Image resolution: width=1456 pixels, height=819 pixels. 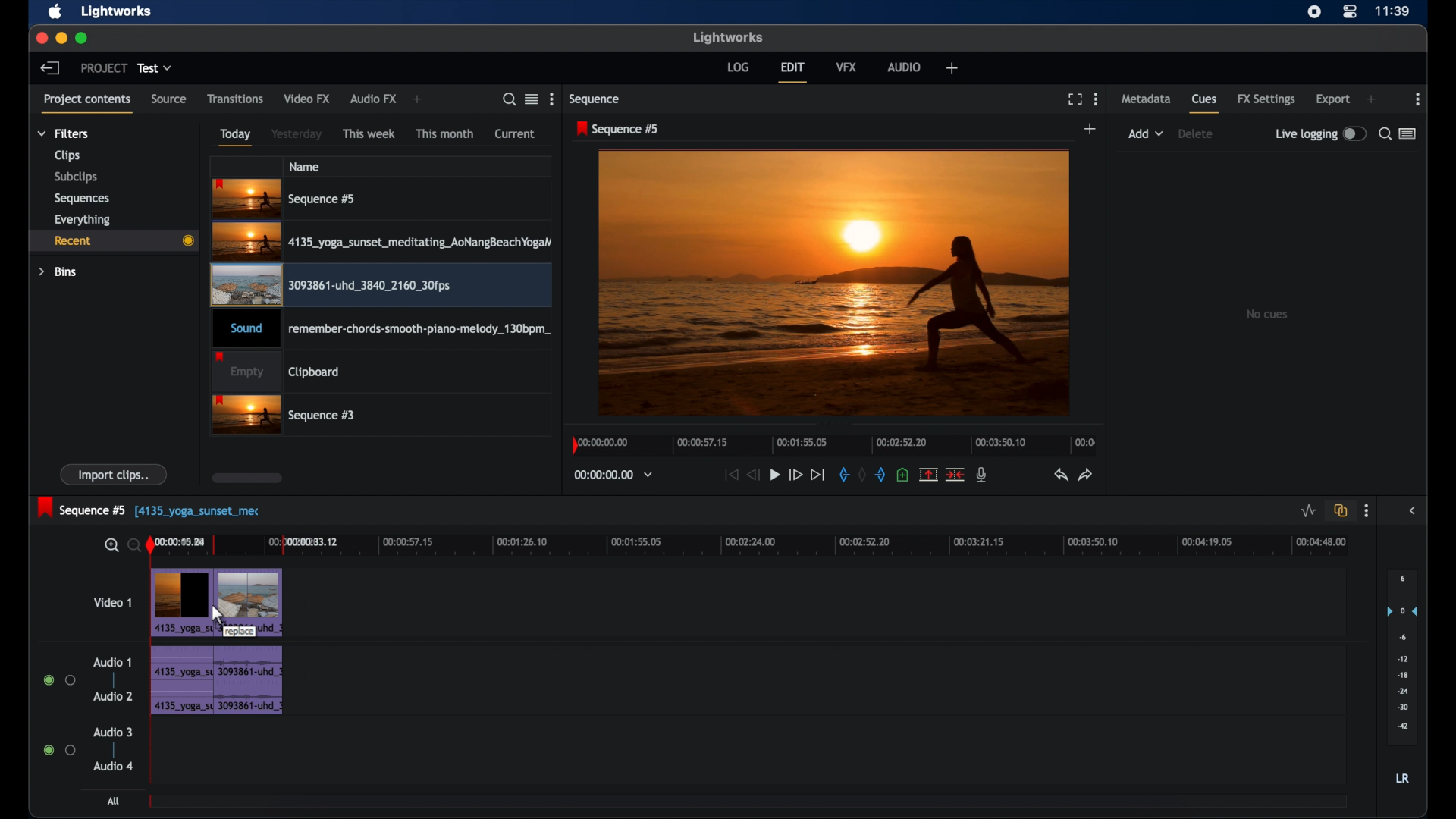 I want to click on lightworks, so click(x=117, y=11).